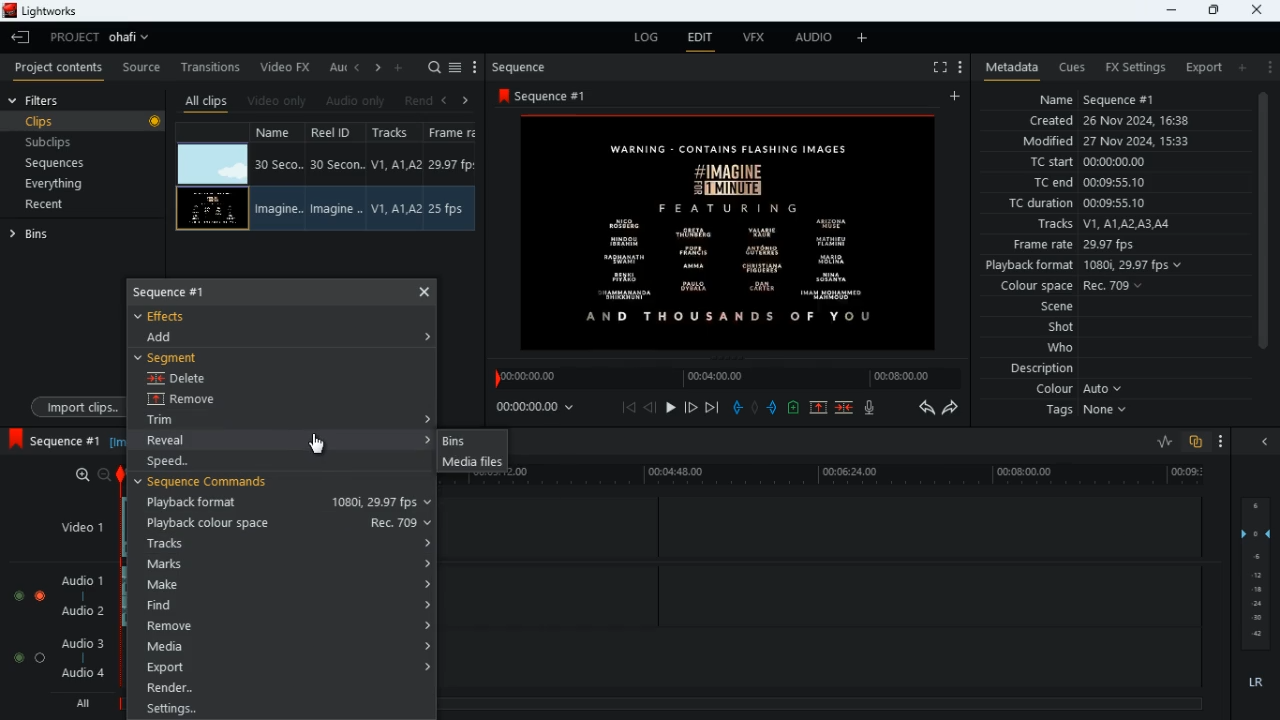 The height and width of the screenshot is (720, 1280). Describe the element at coordinates (955, 410) in the screenshot. I see `forward` at that location.